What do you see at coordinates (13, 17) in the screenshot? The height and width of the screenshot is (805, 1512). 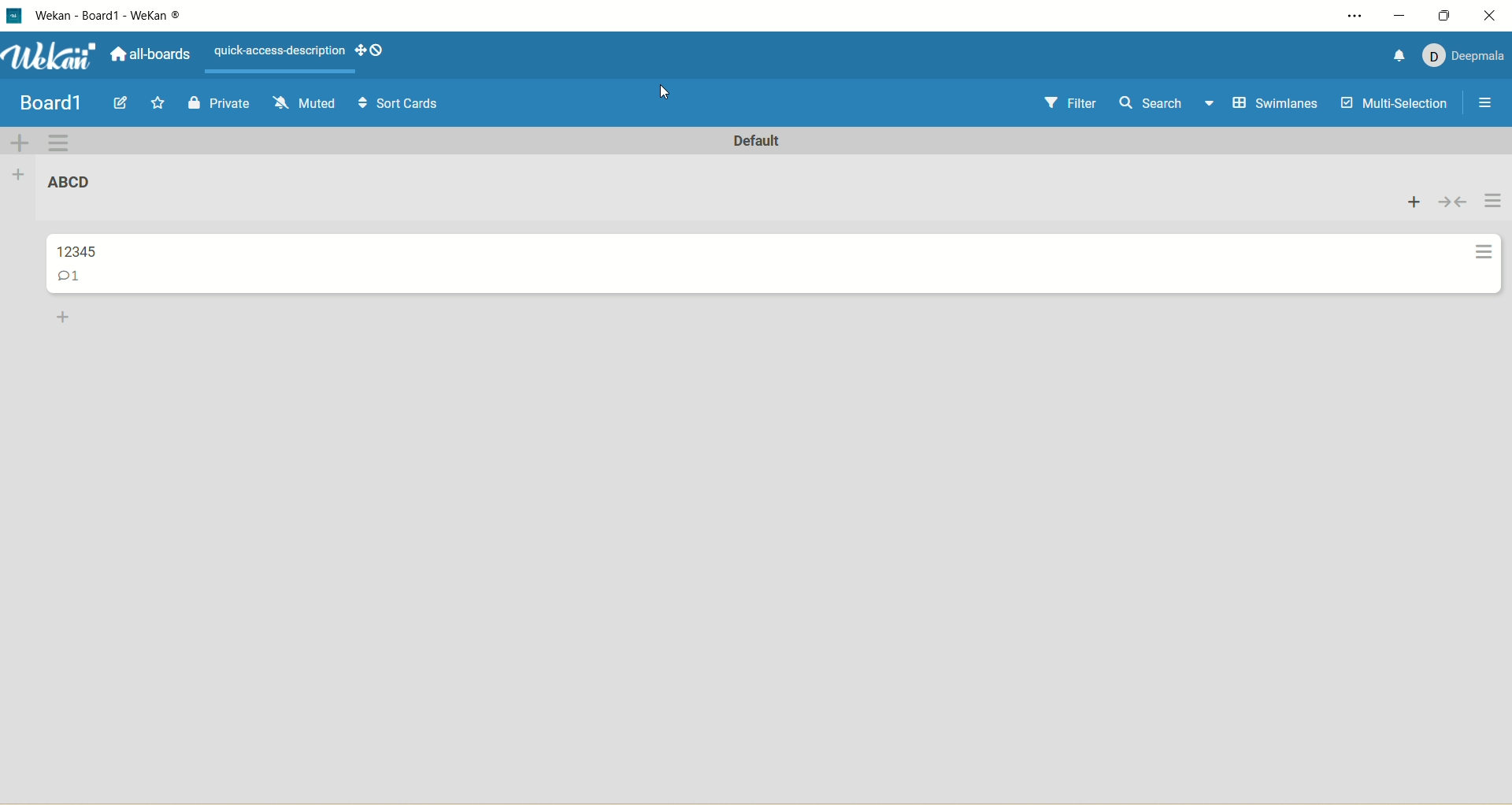 I see `logo` at bounding box center [13, 17].